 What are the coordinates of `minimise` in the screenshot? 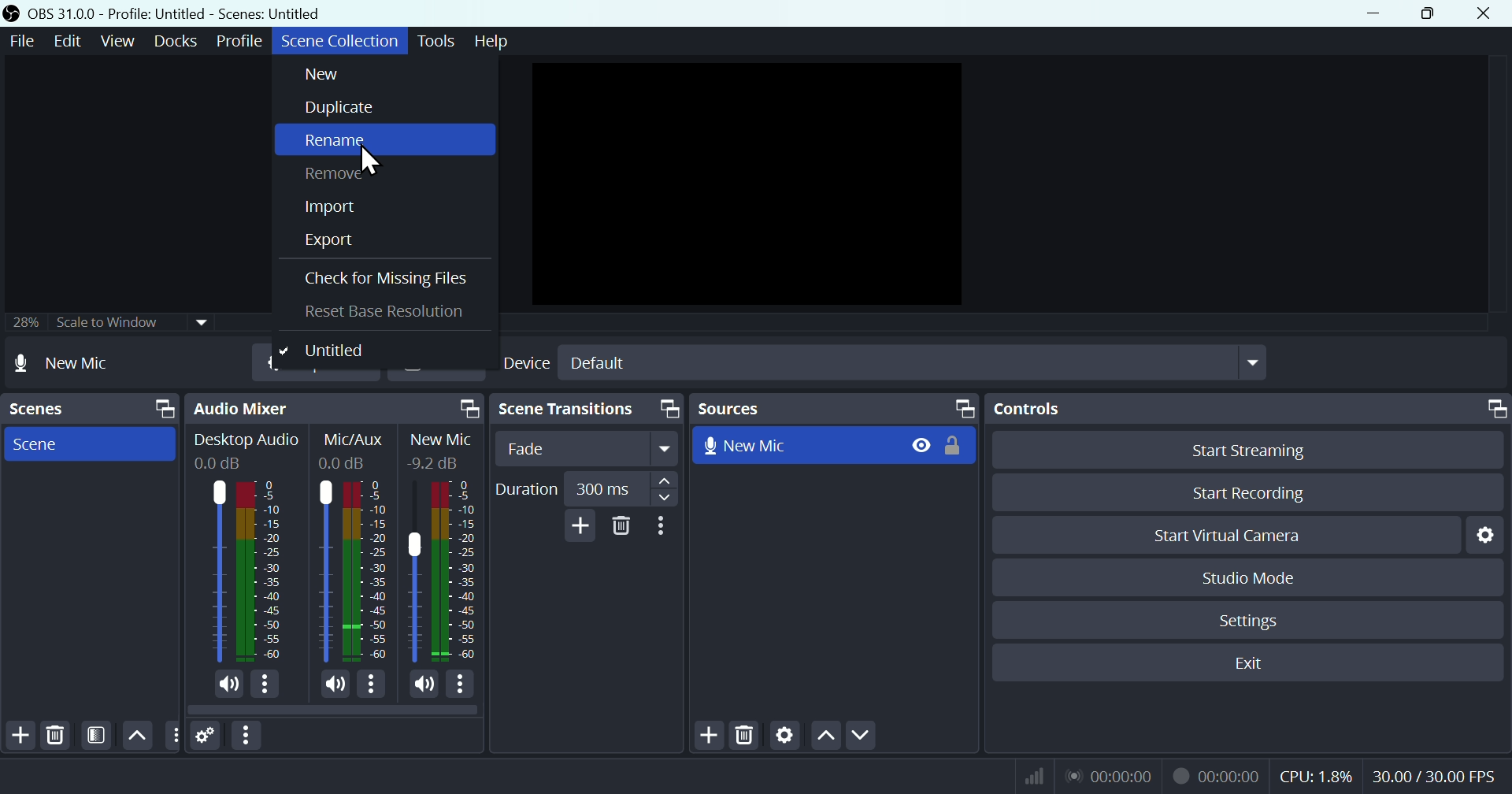 It's located at (1384, 14).